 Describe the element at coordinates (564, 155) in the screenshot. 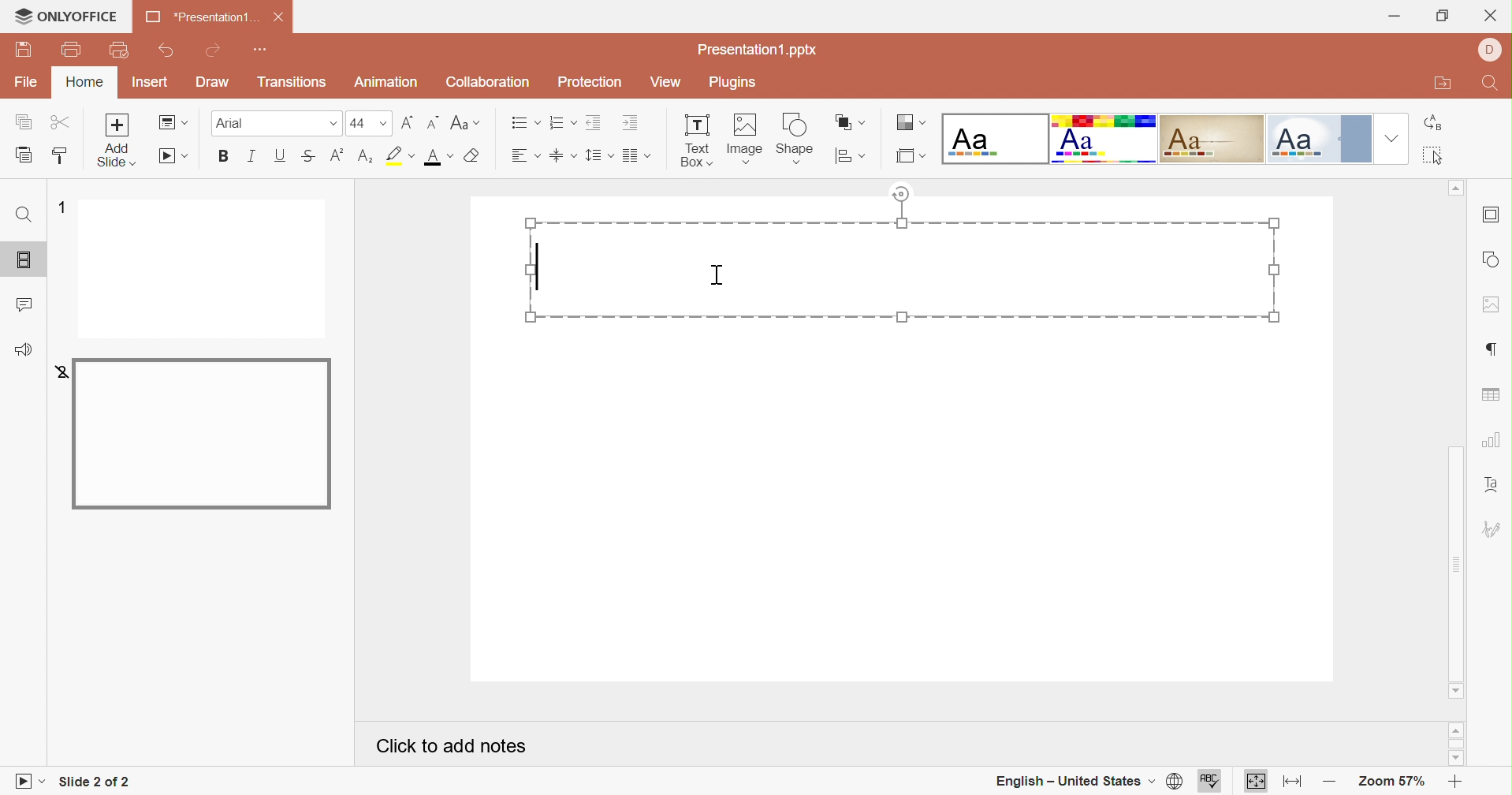

I see `Vertical align` at that location.